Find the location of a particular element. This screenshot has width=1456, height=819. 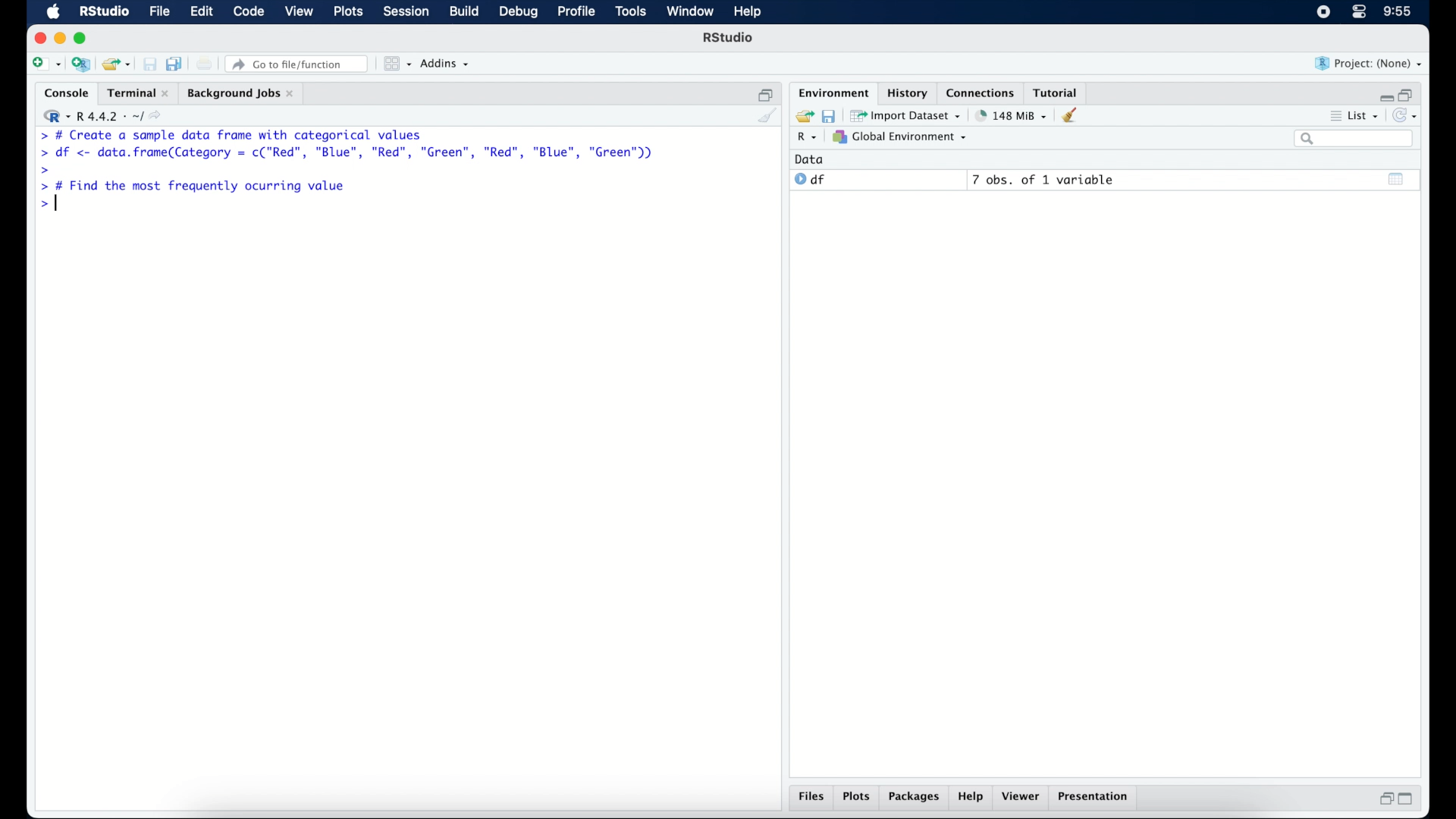

save is located at coordinates (147, 61).